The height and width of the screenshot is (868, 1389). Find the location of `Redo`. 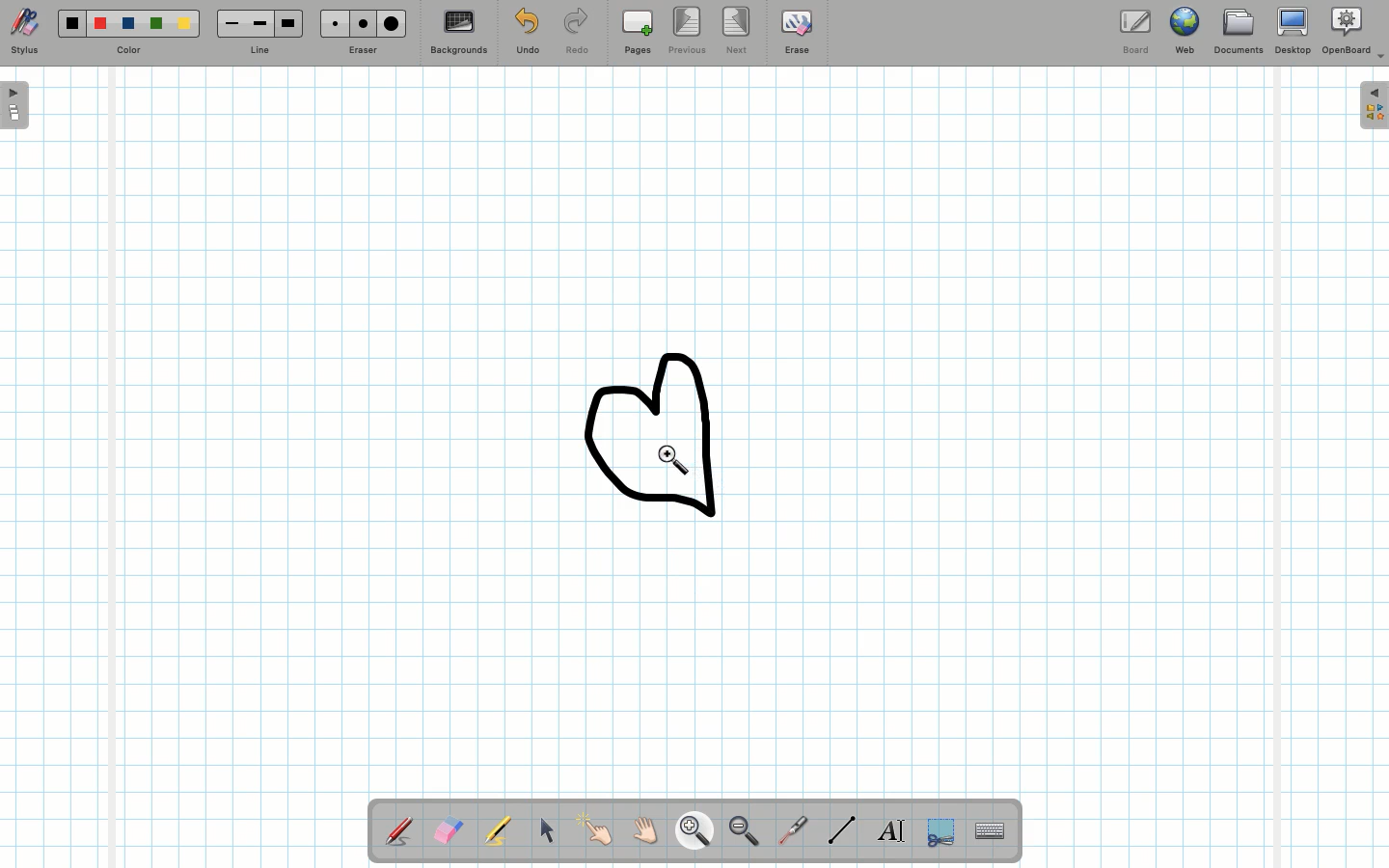

Redo is located at coordinates (574, 33).